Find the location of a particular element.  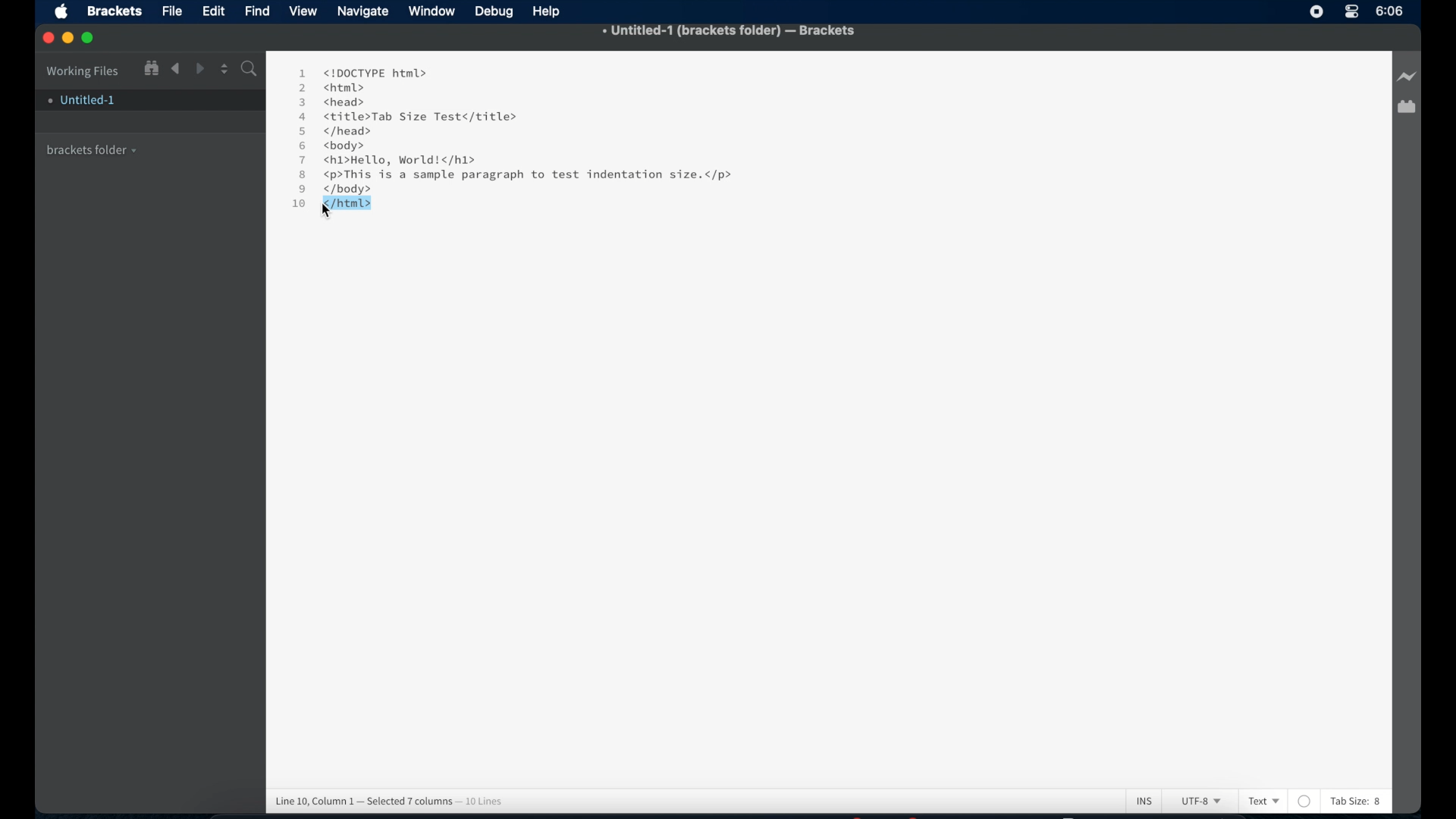

2 <html> is located at coordinates (331, 87).